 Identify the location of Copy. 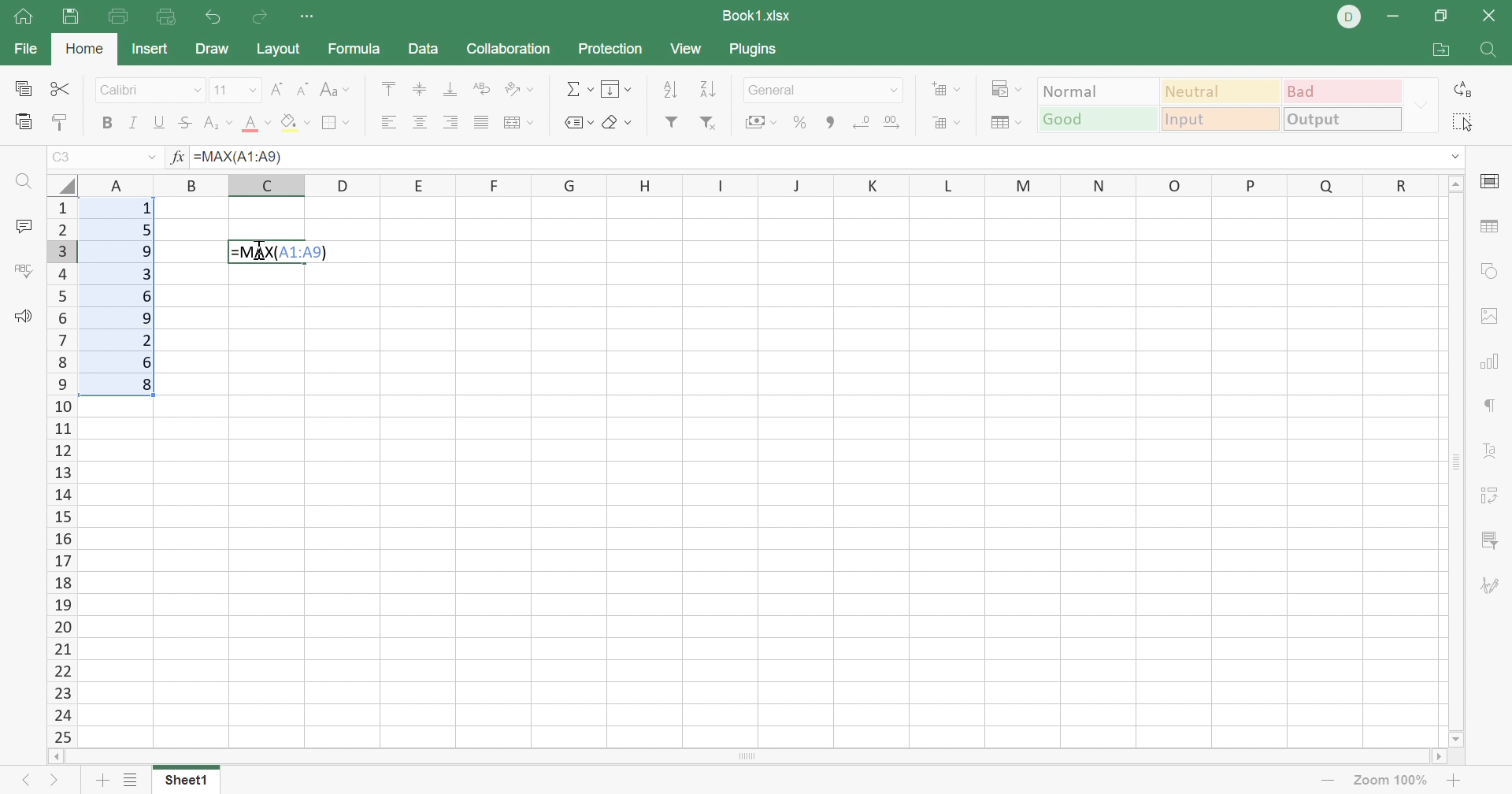
(22, 86).